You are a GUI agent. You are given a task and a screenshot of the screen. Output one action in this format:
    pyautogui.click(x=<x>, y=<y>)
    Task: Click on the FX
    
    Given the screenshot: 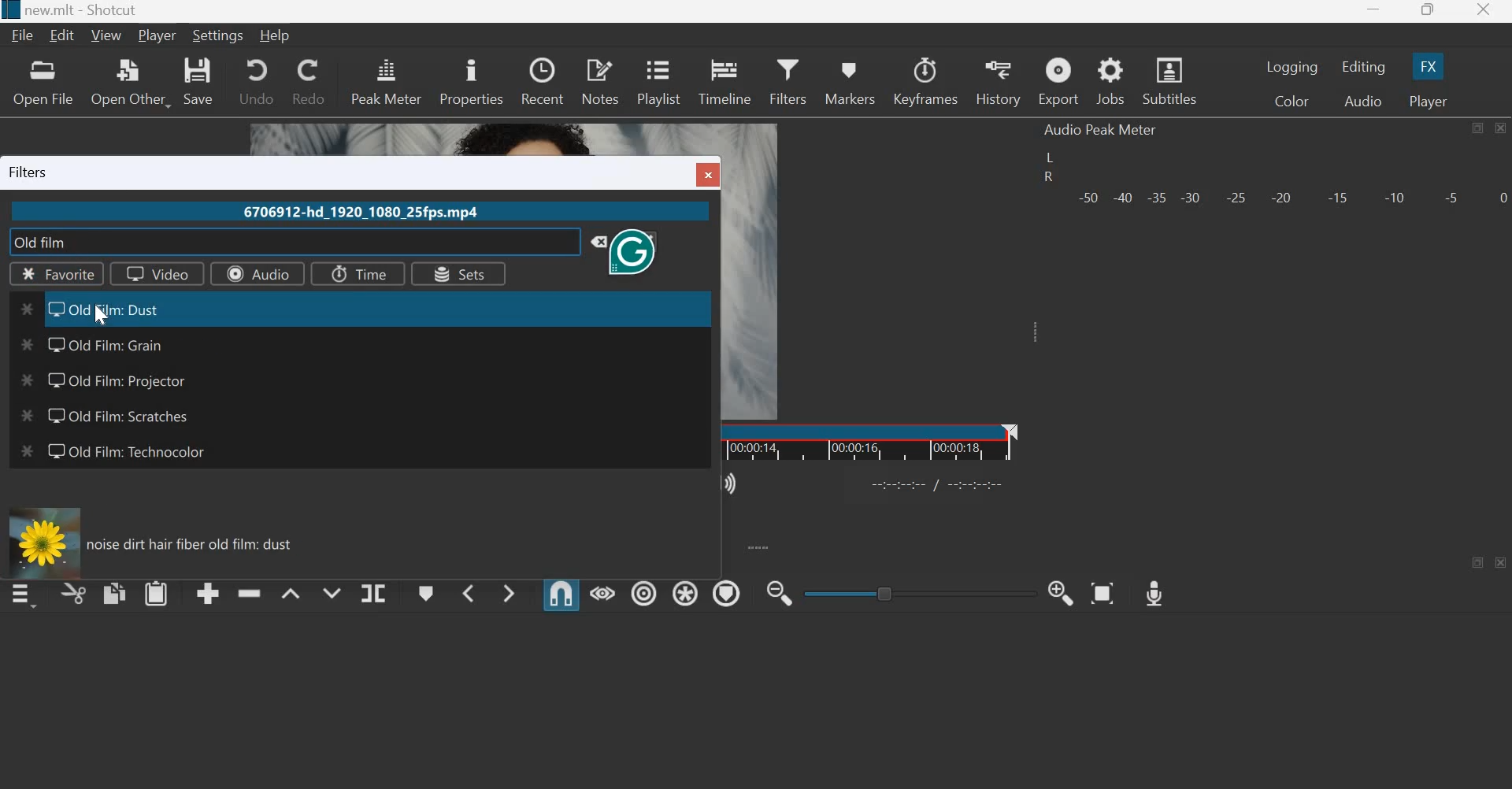 What is the action you would take?
    pyautogui.click(x=1426, y=66)
    